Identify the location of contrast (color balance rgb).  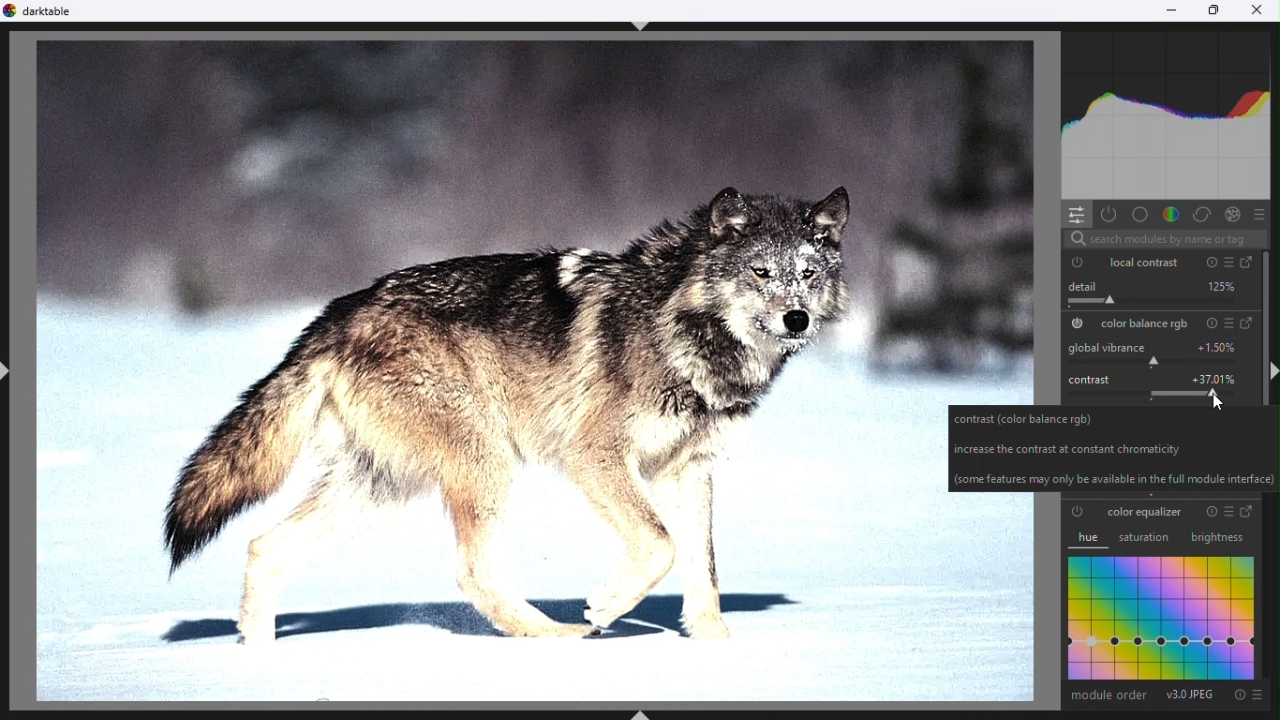
(1025, 419).